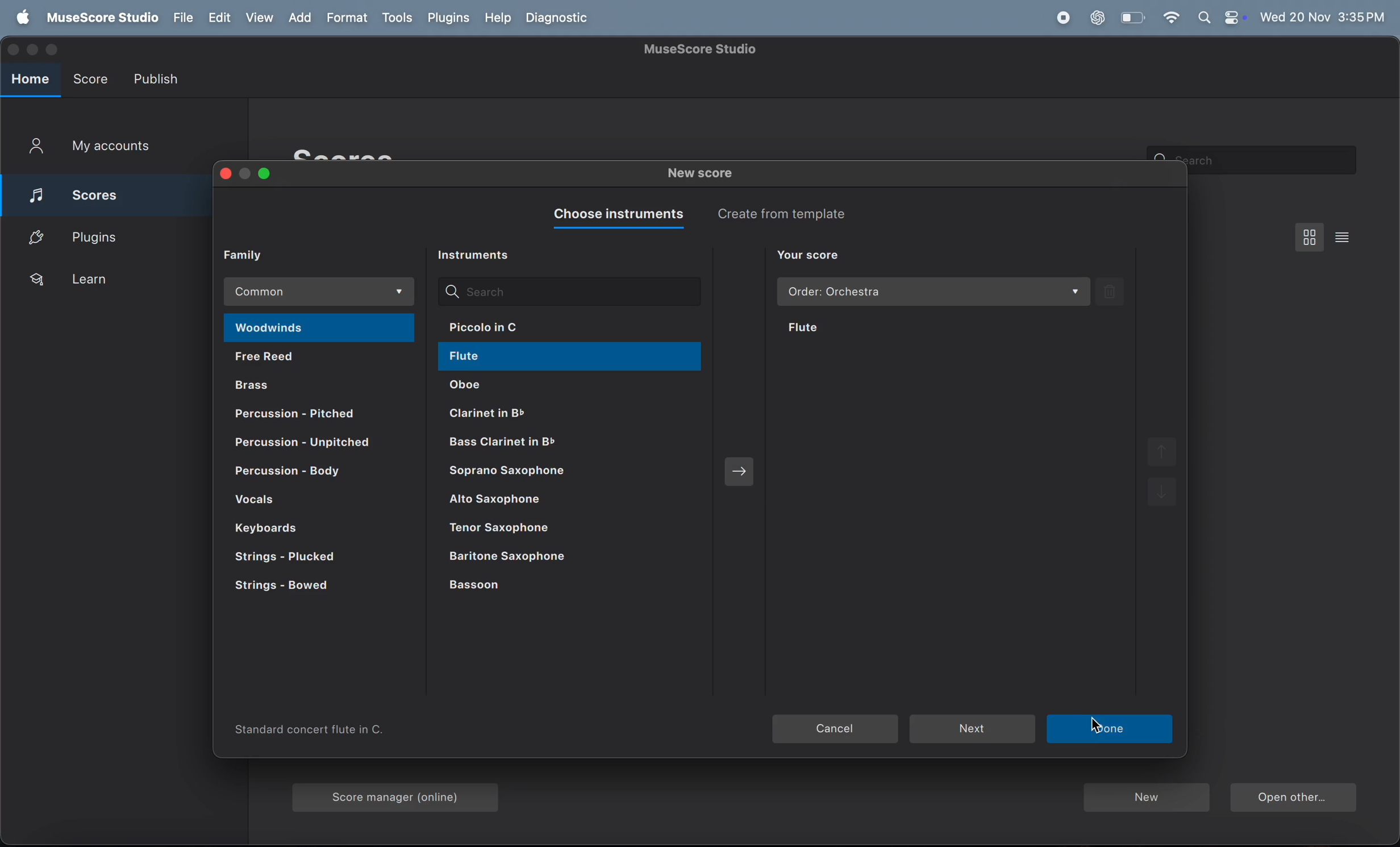 The image size is (1400, 847). What do you see at coordinates (304, 18) in the screenshot?
I see `add` at bounding box center [304, 18].